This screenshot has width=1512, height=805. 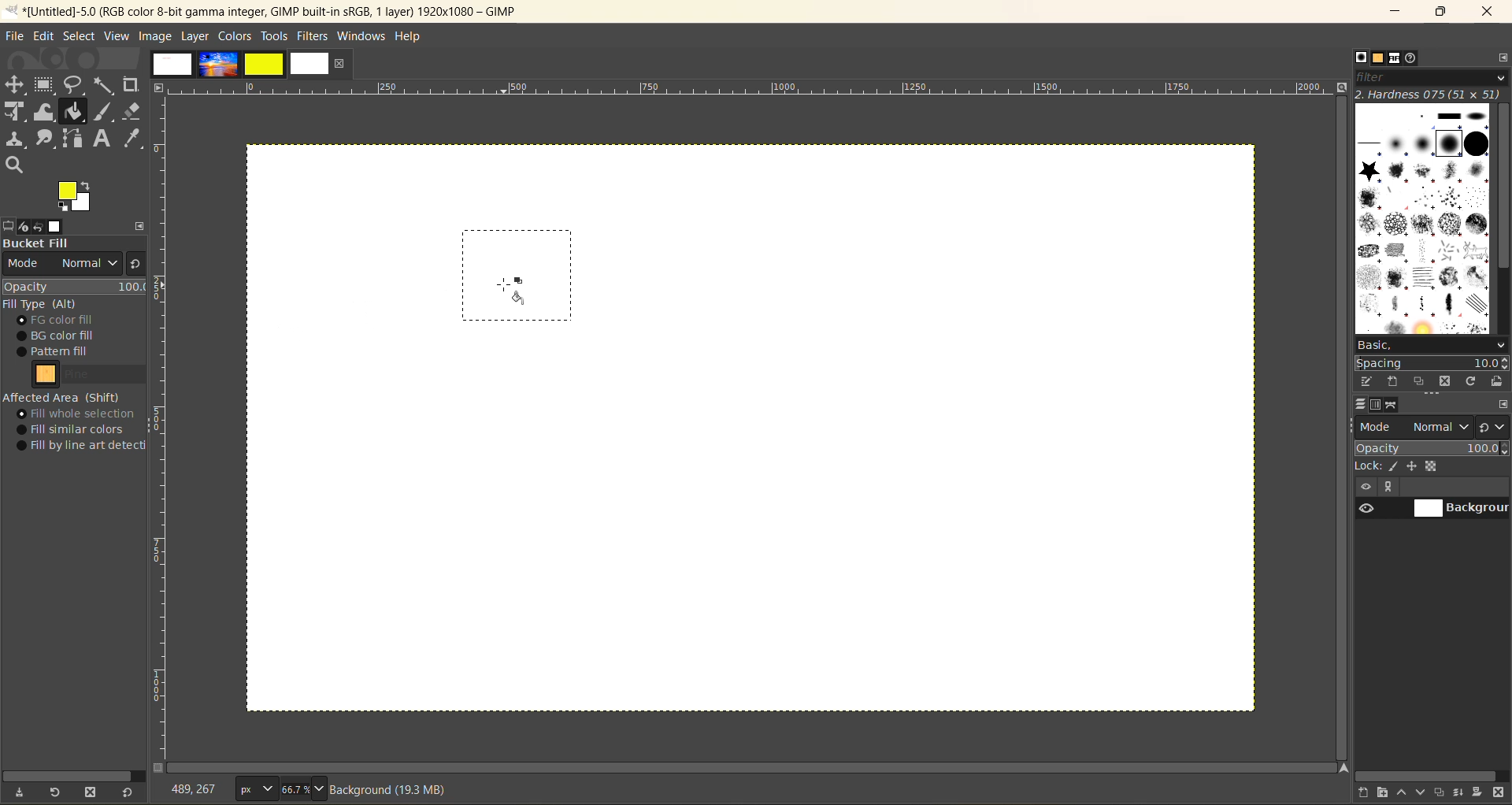 I want to click on device status, so click(x=19, y=227).